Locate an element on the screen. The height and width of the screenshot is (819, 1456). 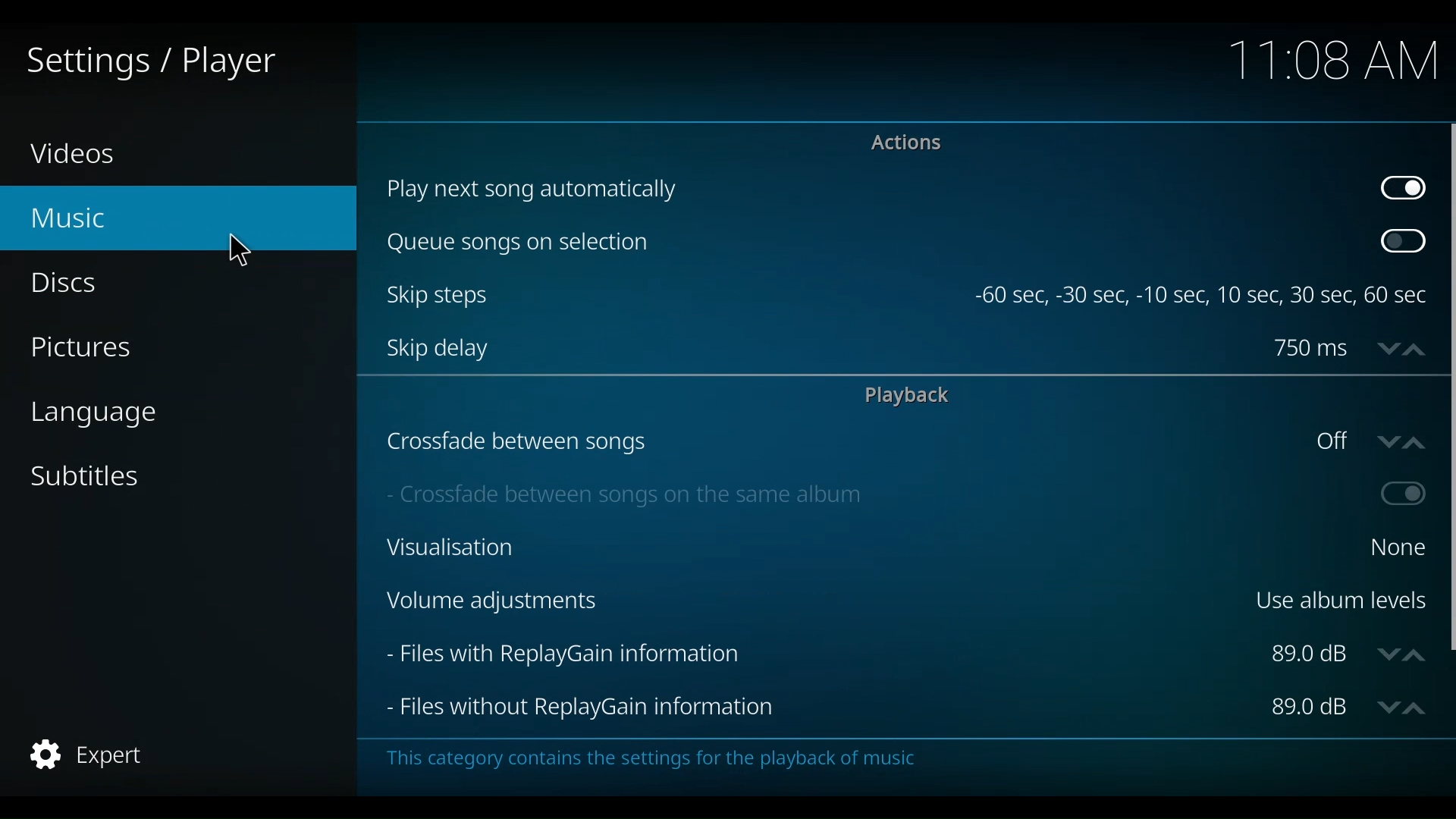
Play next song automatically is located at coordinates (874, 190).